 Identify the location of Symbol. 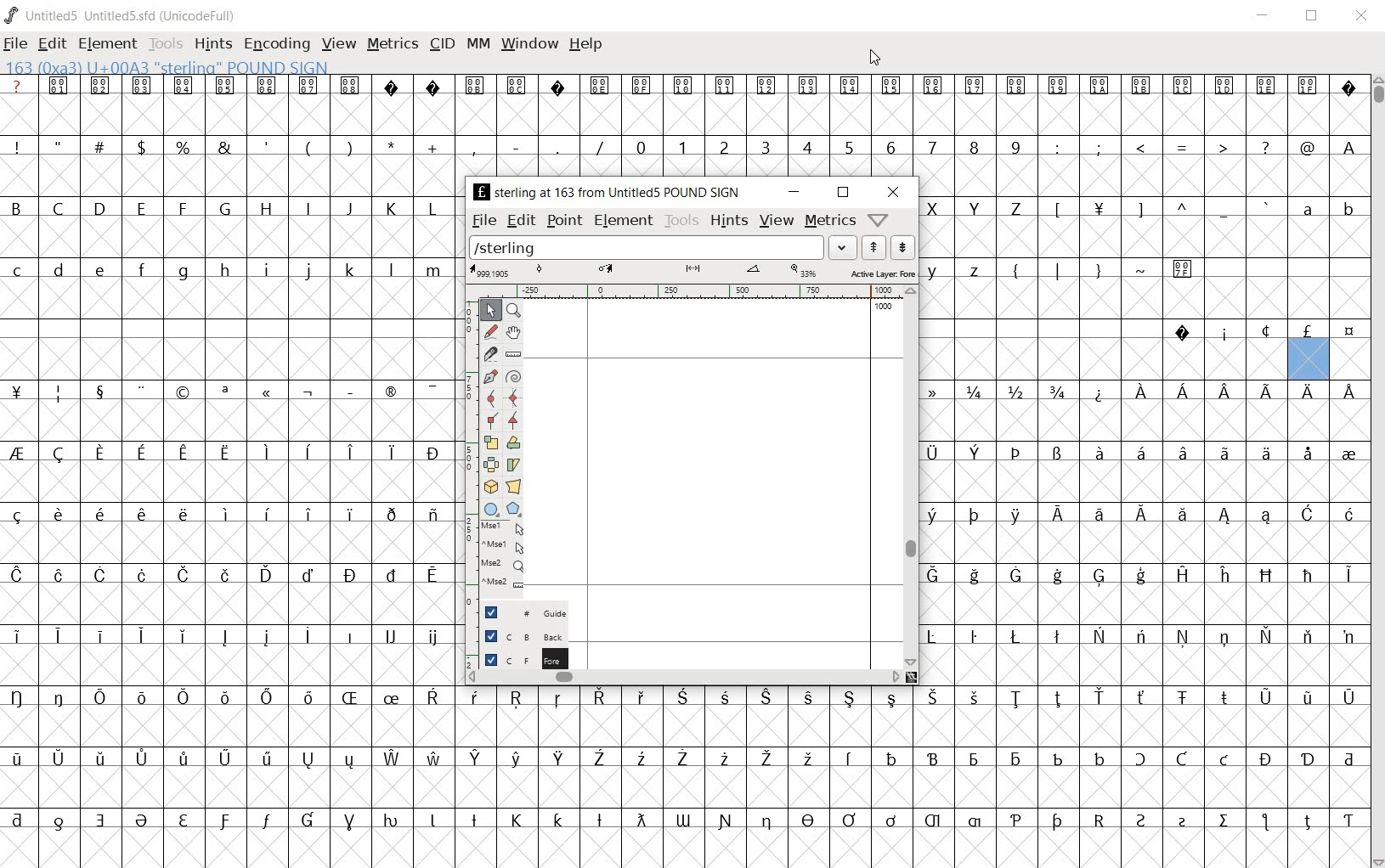
(102, 86).